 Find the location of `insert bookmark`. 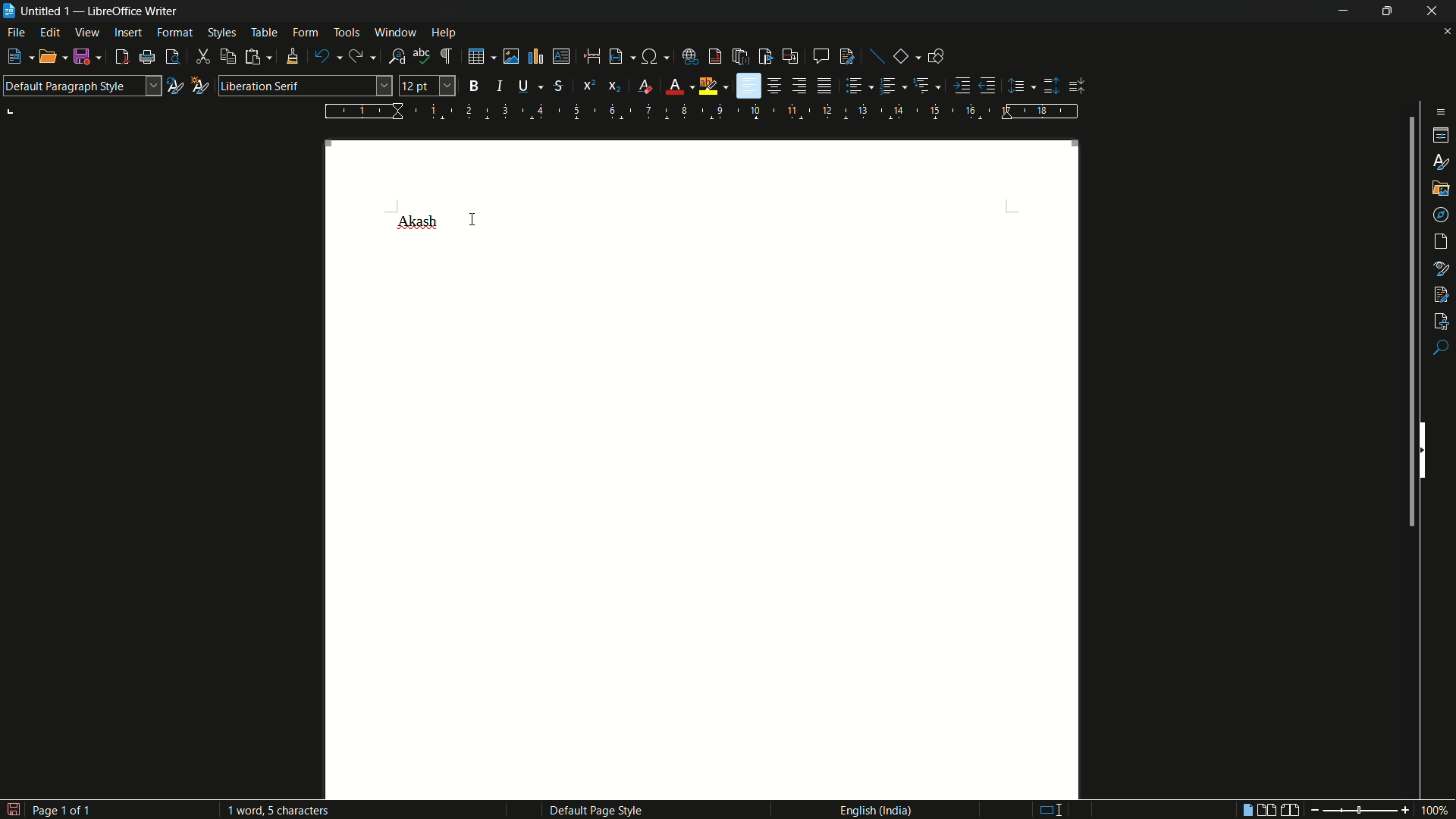

insert bookmark is located at coordinates (766, 56).